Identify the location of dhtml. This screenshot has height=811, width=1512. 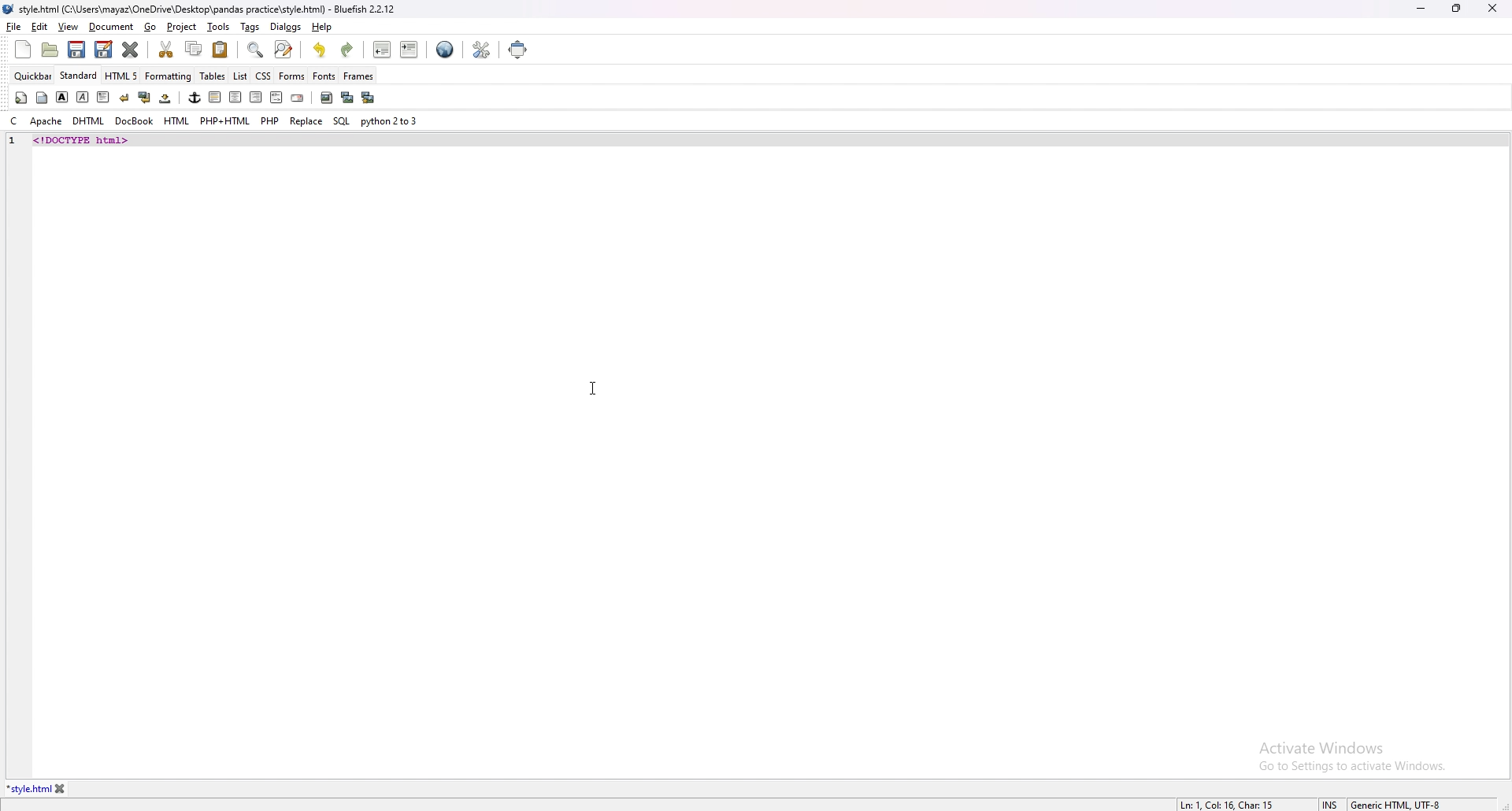
(88, 122).